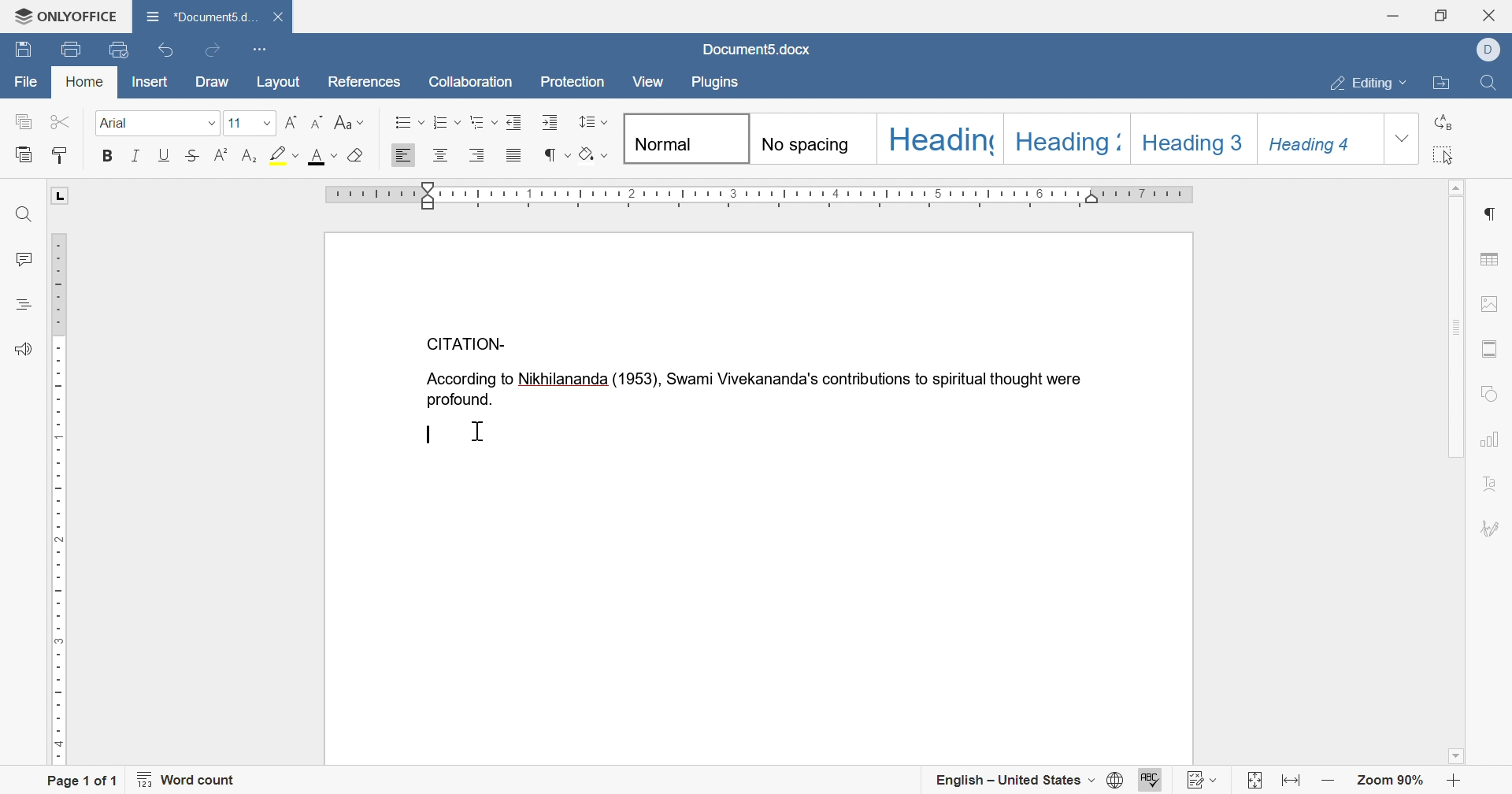 The height and width of the screenshot is (794, 1512). I want to click on find, so click(1492, 83).